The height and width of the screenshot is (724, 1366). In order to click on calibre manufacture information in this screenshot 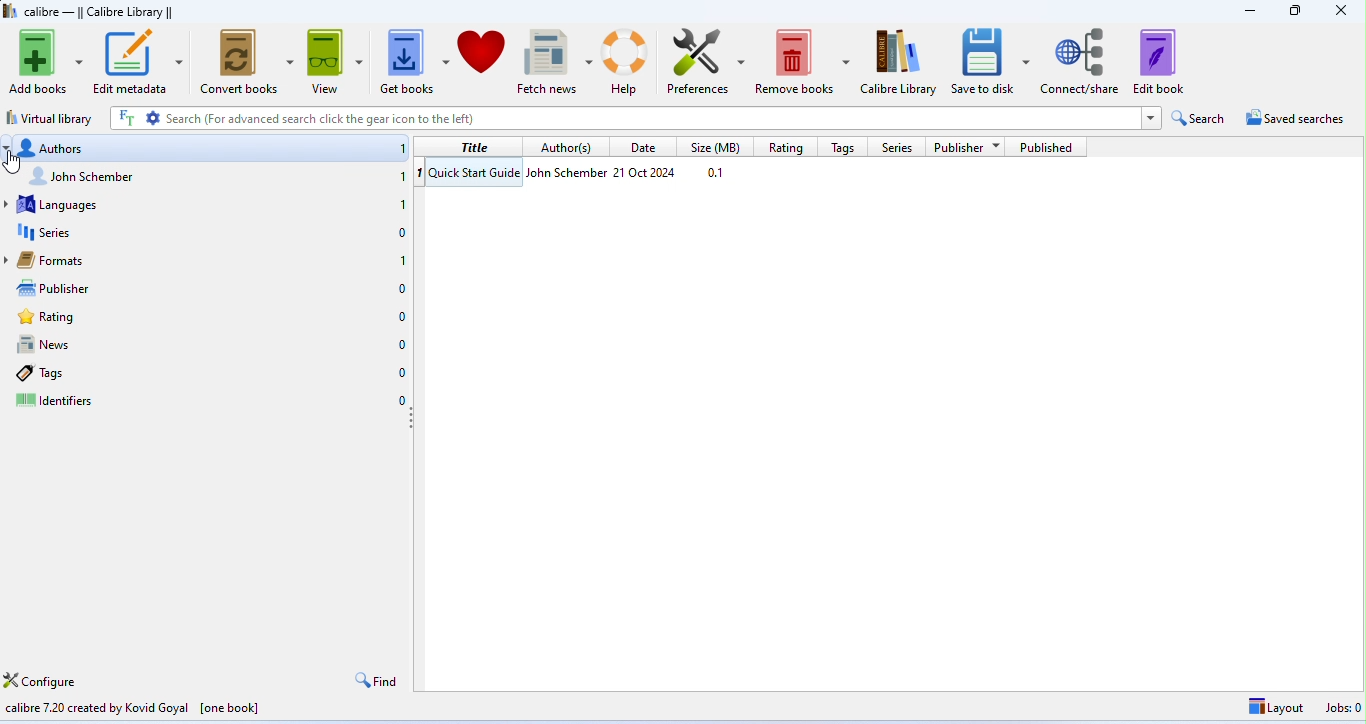, I will do `click(142, 706)`.